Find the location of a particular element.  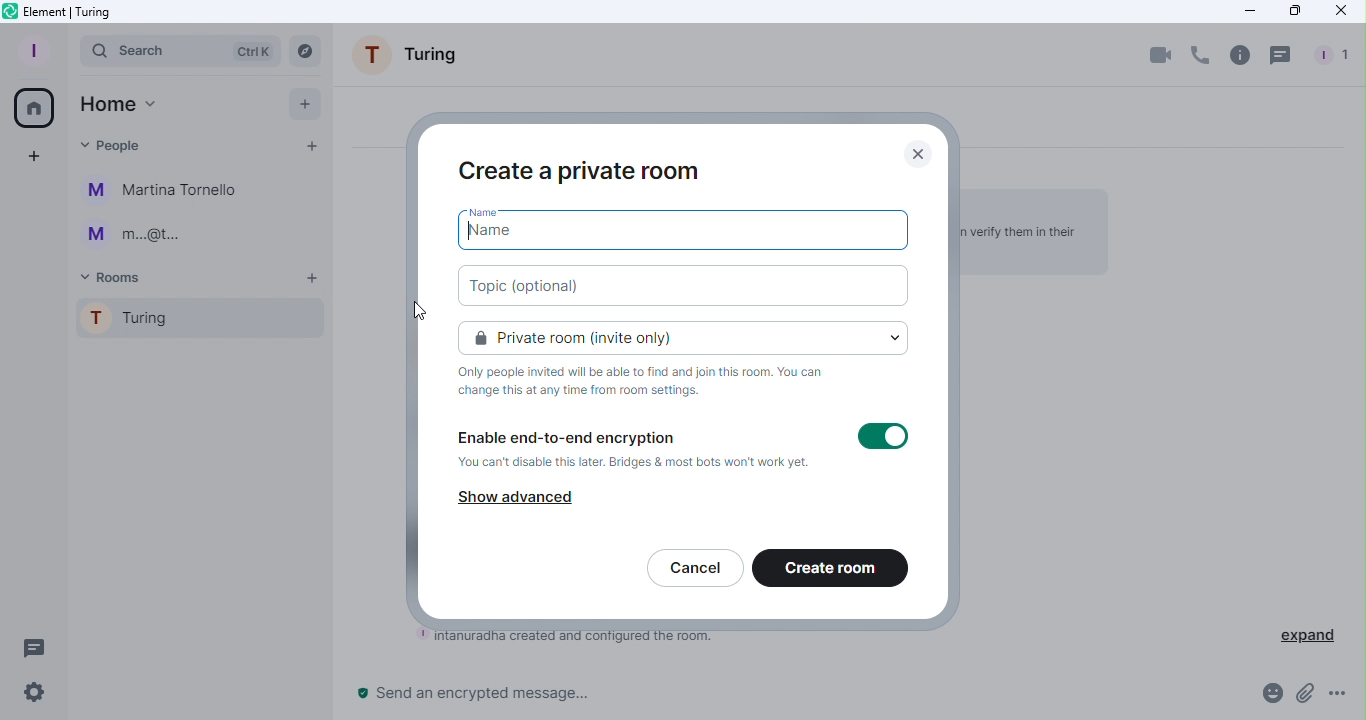

Information is located at coordinates (650, 382).